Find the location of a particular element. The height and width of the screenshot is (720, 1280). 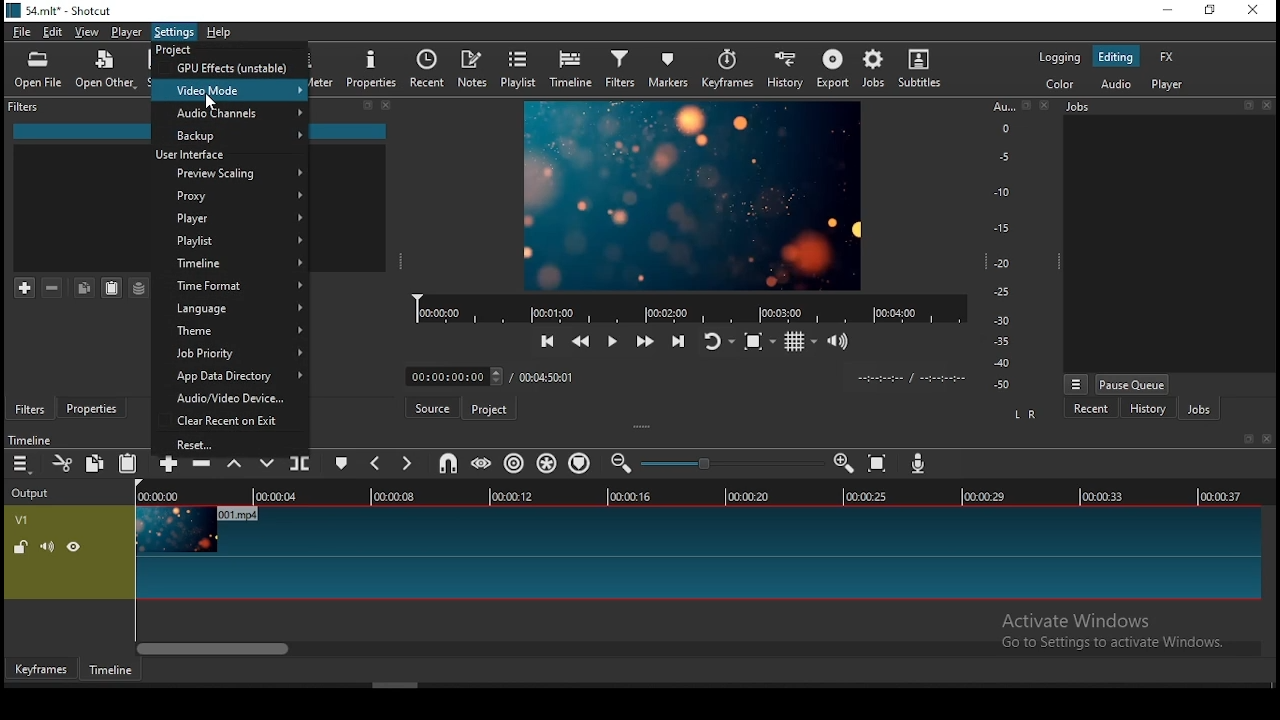

theme is located at coordinates (231, 333).